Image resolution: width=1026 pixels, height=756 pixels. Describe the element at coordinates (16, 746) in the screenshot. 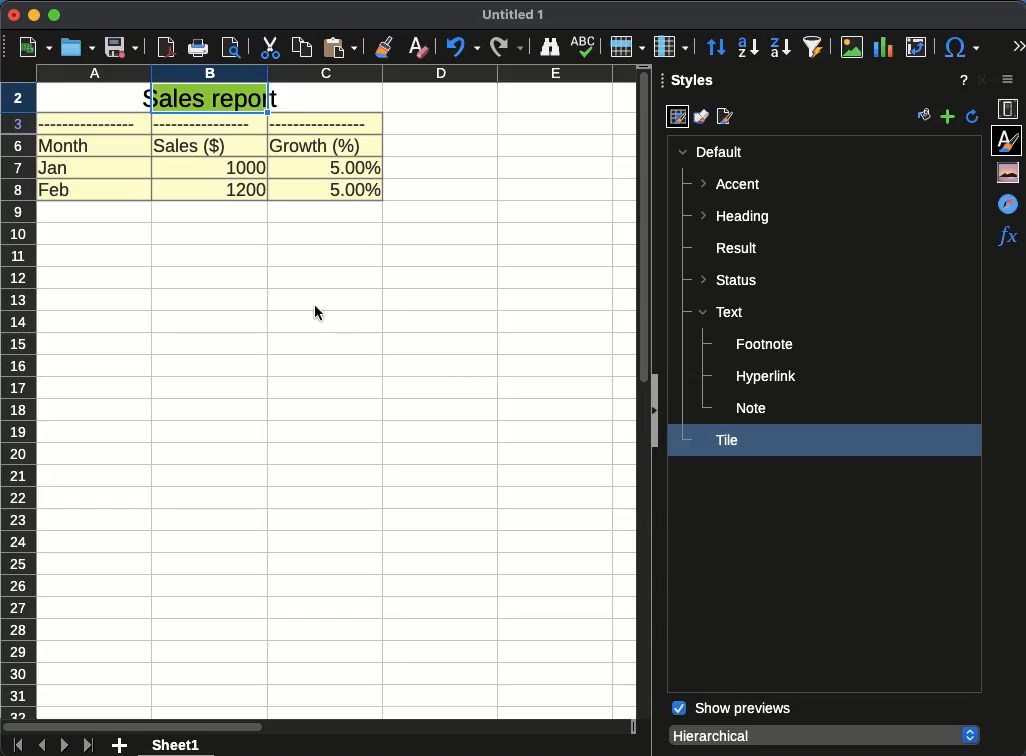

I see `first sheet` at that location.